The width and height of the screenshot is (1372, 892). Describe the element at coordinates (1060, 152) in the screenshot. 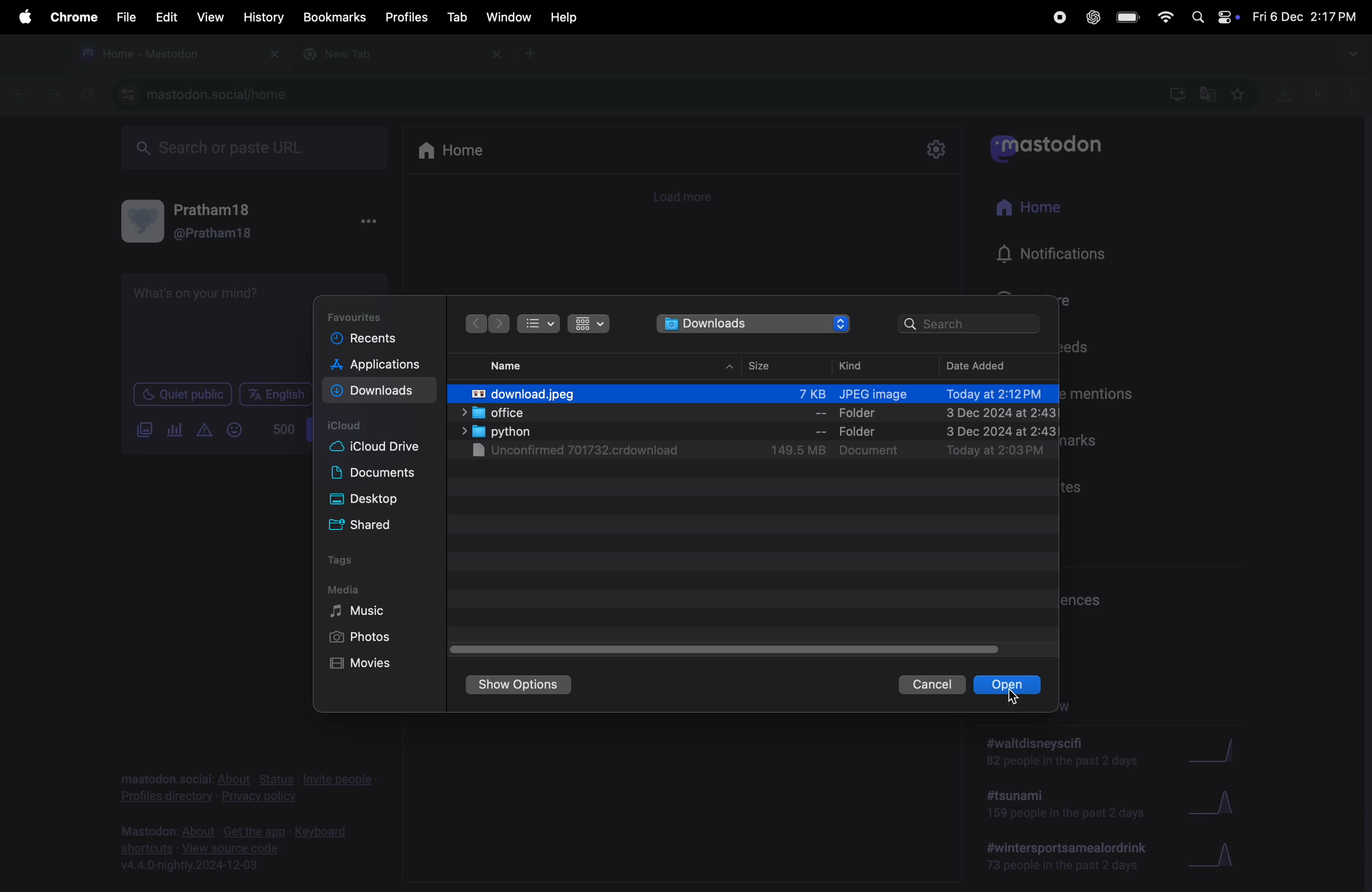

I see `mastodon app` at that location.